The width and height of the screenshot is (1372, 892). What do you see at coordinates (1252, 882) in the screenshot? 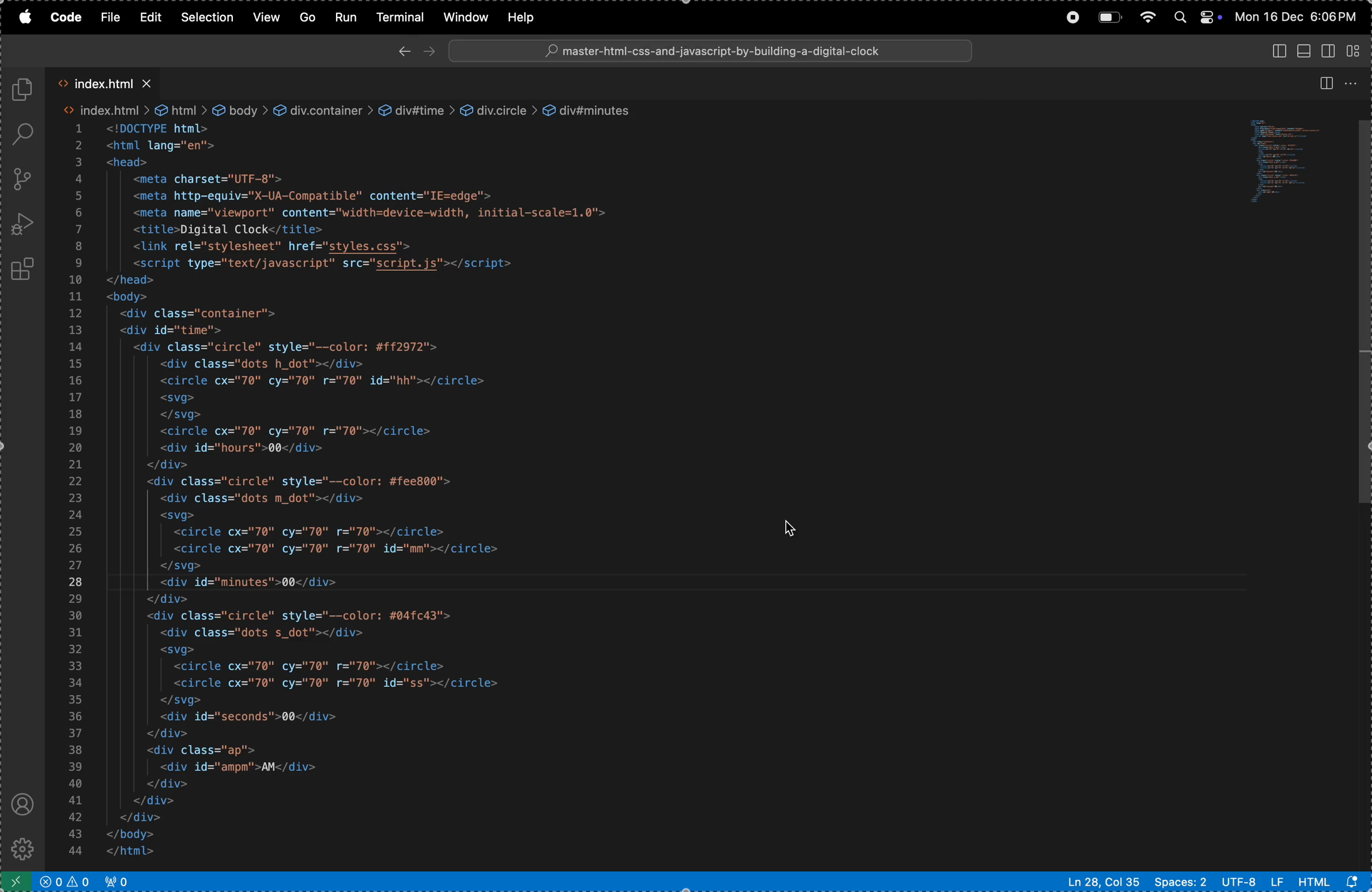
I see `utf -8` at bounding box center [1252, 882].